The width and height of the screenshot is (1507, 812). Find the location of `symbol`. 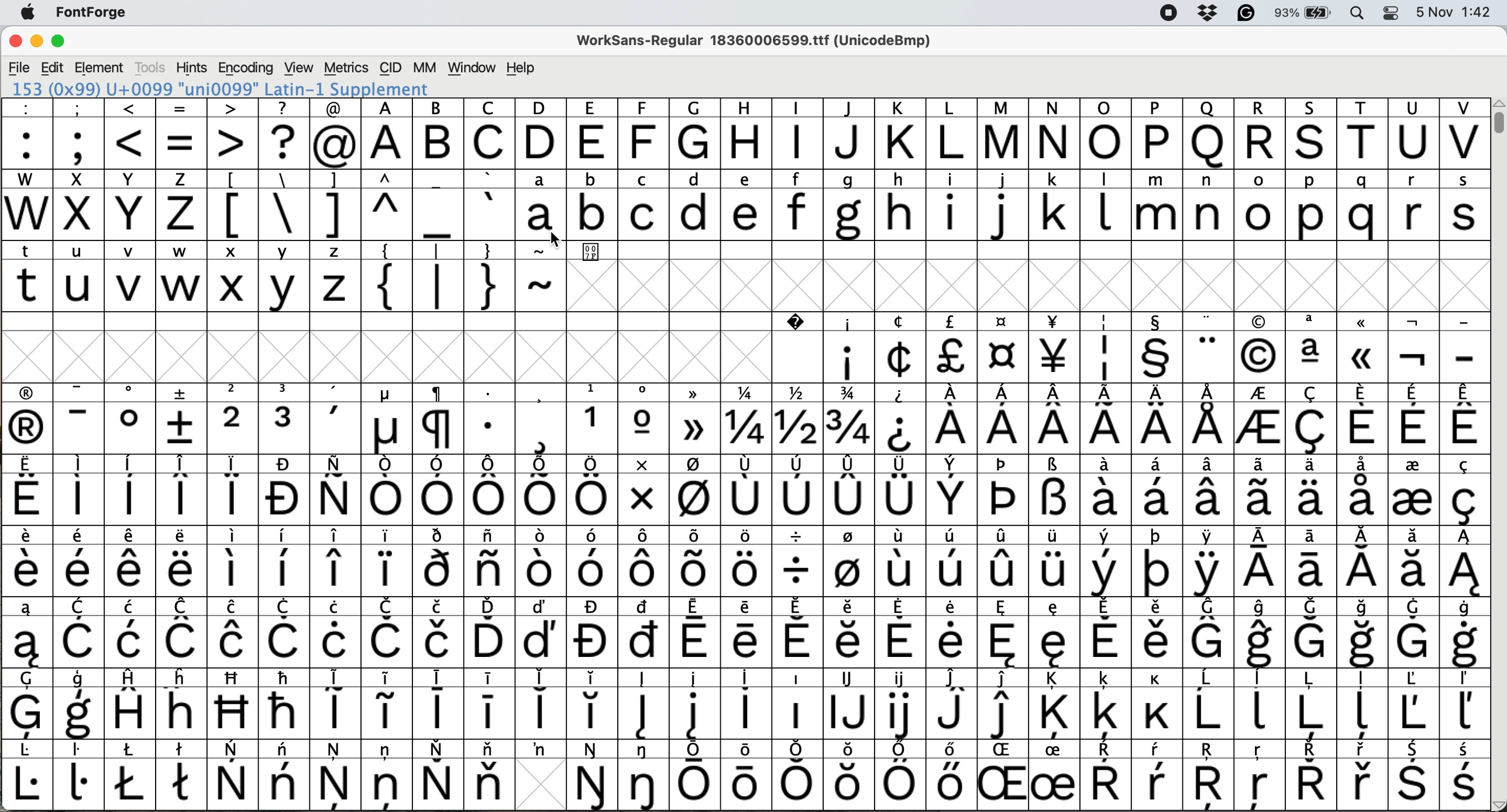

symbol is located at coordinates (1310, 775).